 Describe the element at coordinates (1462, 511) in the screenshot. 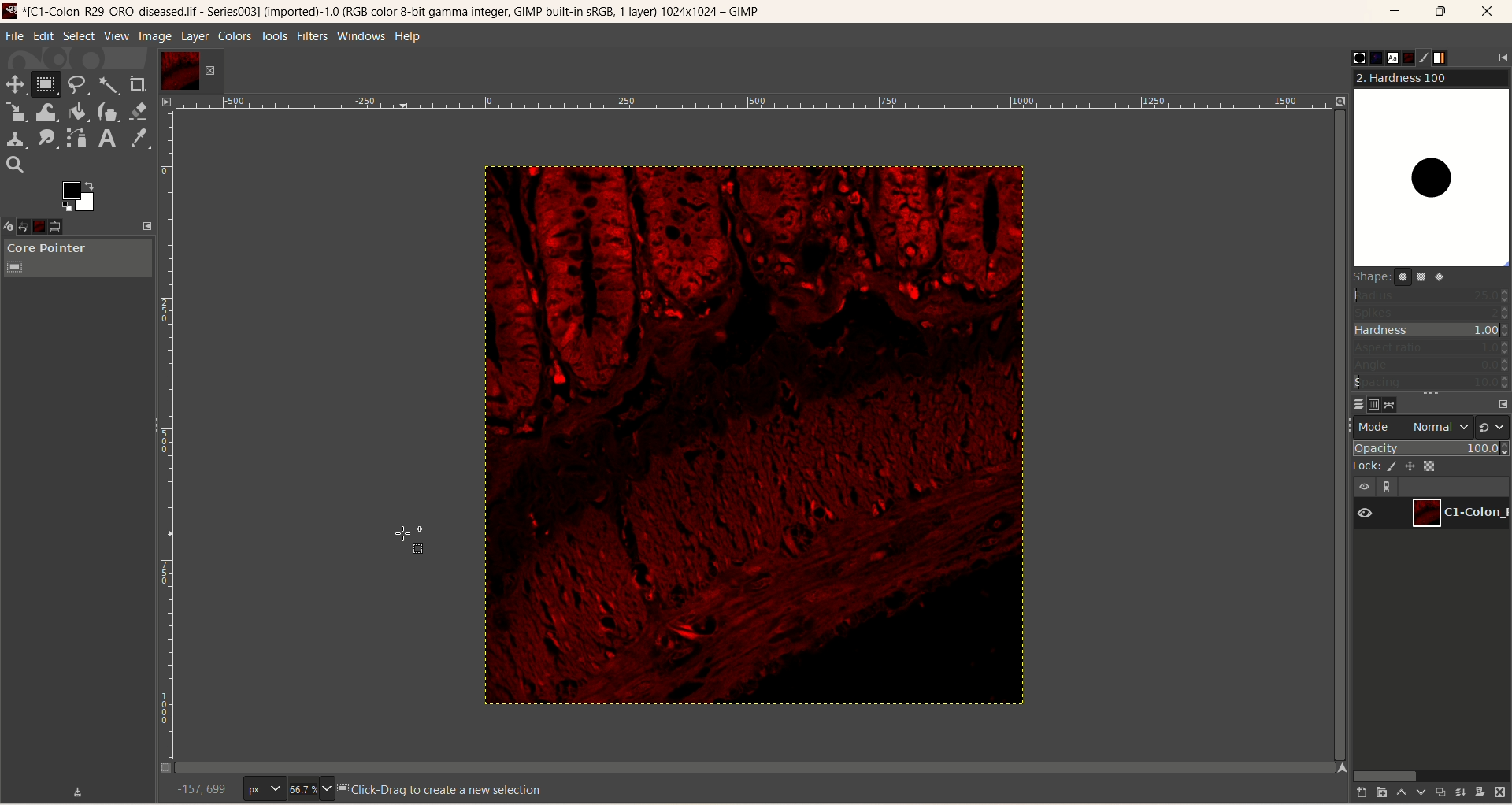

I see `layer1` at that location.